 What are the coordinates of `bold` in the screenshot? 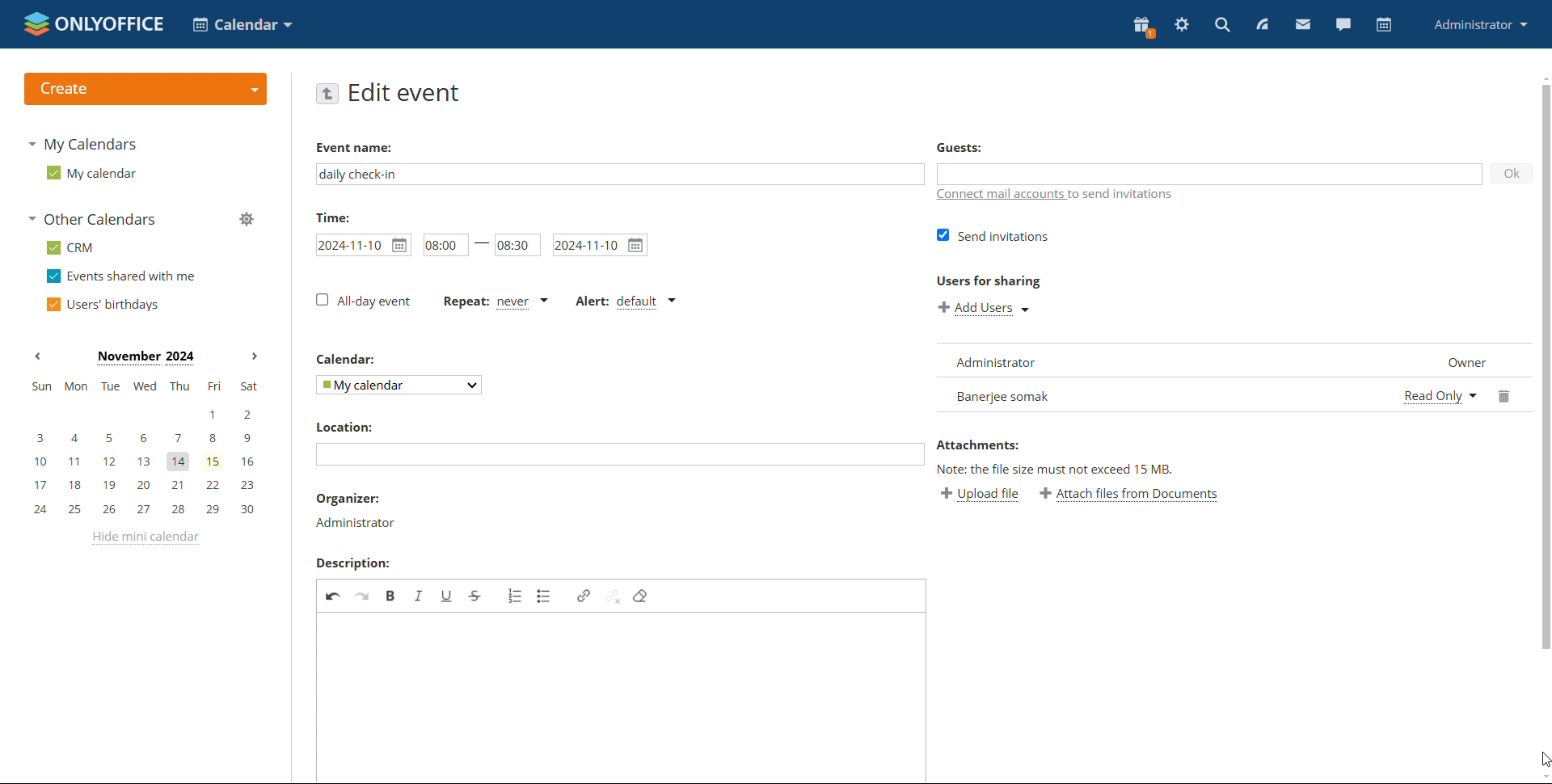 It's located at (392, 596).